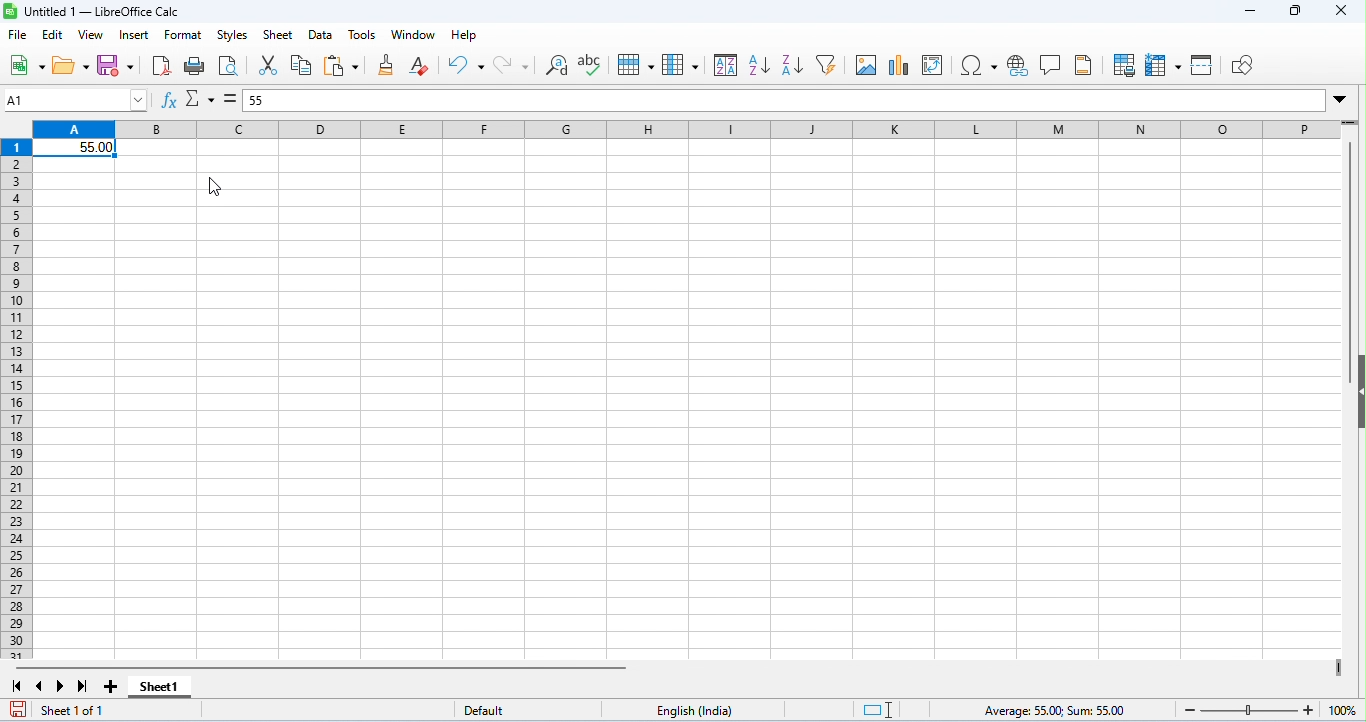 This screenshot has height=722, width=1366. I want to click on last sheet, so click(81, 686).